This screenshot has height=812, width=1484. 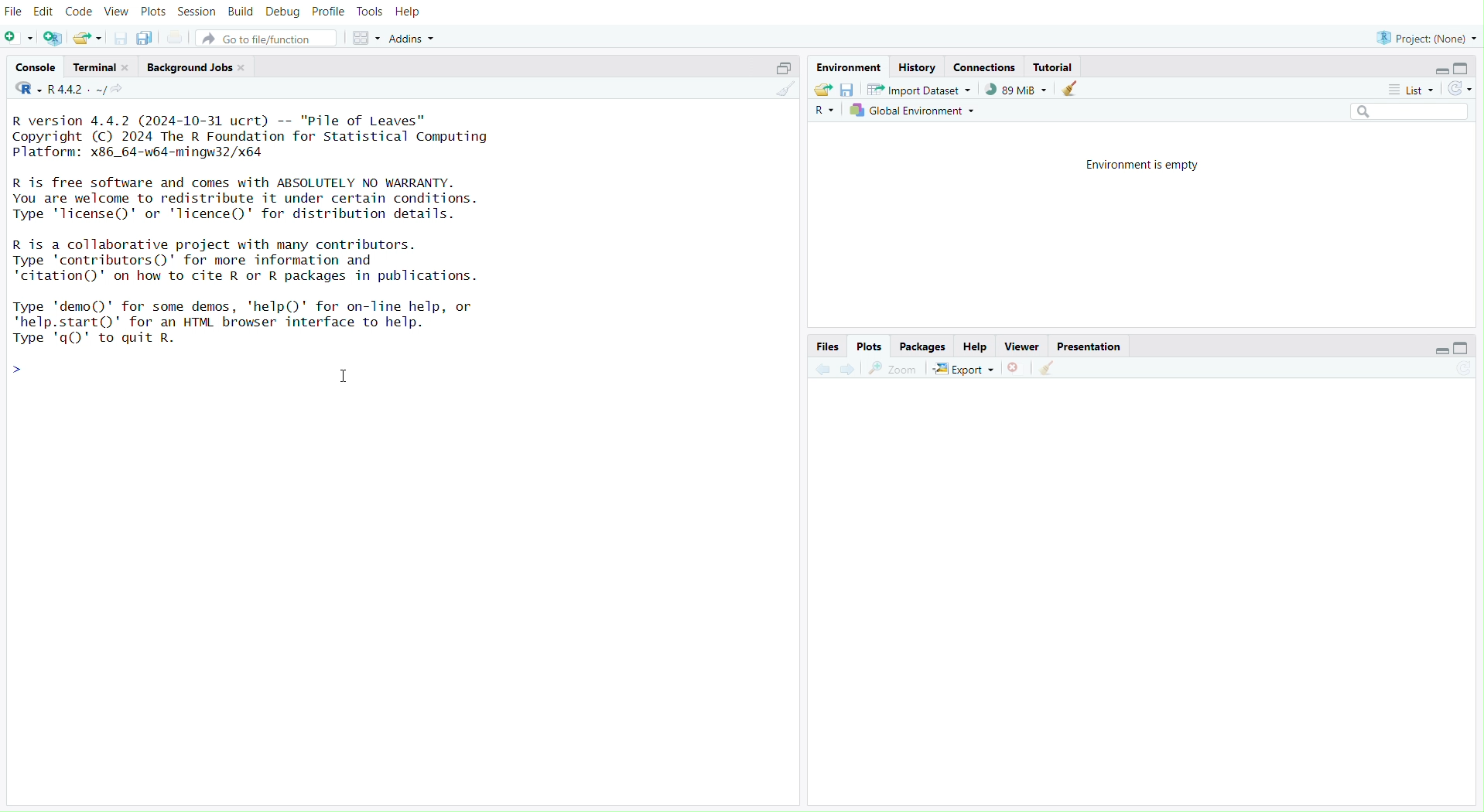 What do you see at coordinates (16, 375) in the screenshot?
I see `Prompt cursor` at bounding box center [16, 375].